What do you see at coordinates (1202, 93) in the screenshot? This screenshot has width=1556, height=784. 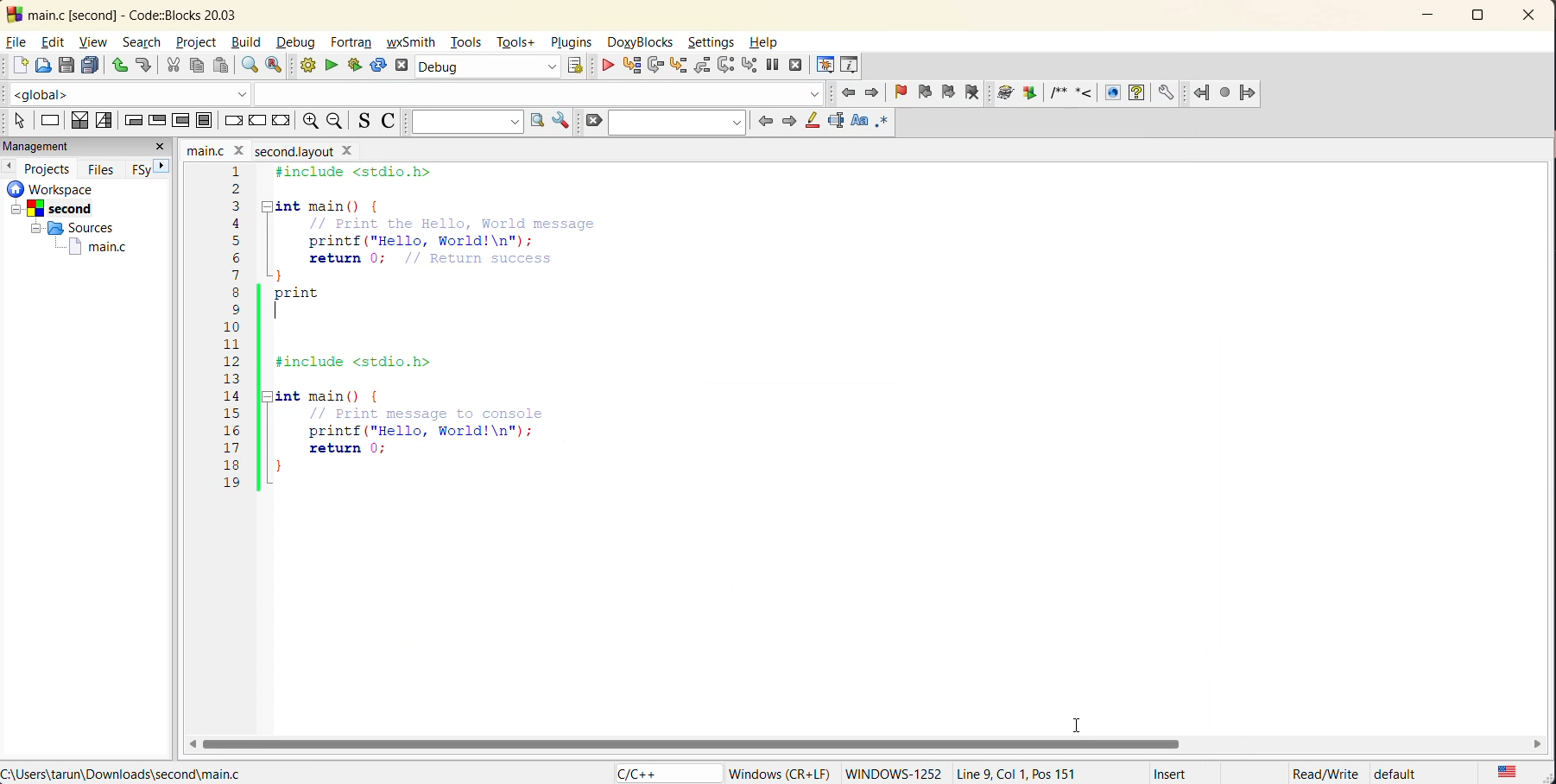 I see `jump backword` at bounding box center [1202, 93].